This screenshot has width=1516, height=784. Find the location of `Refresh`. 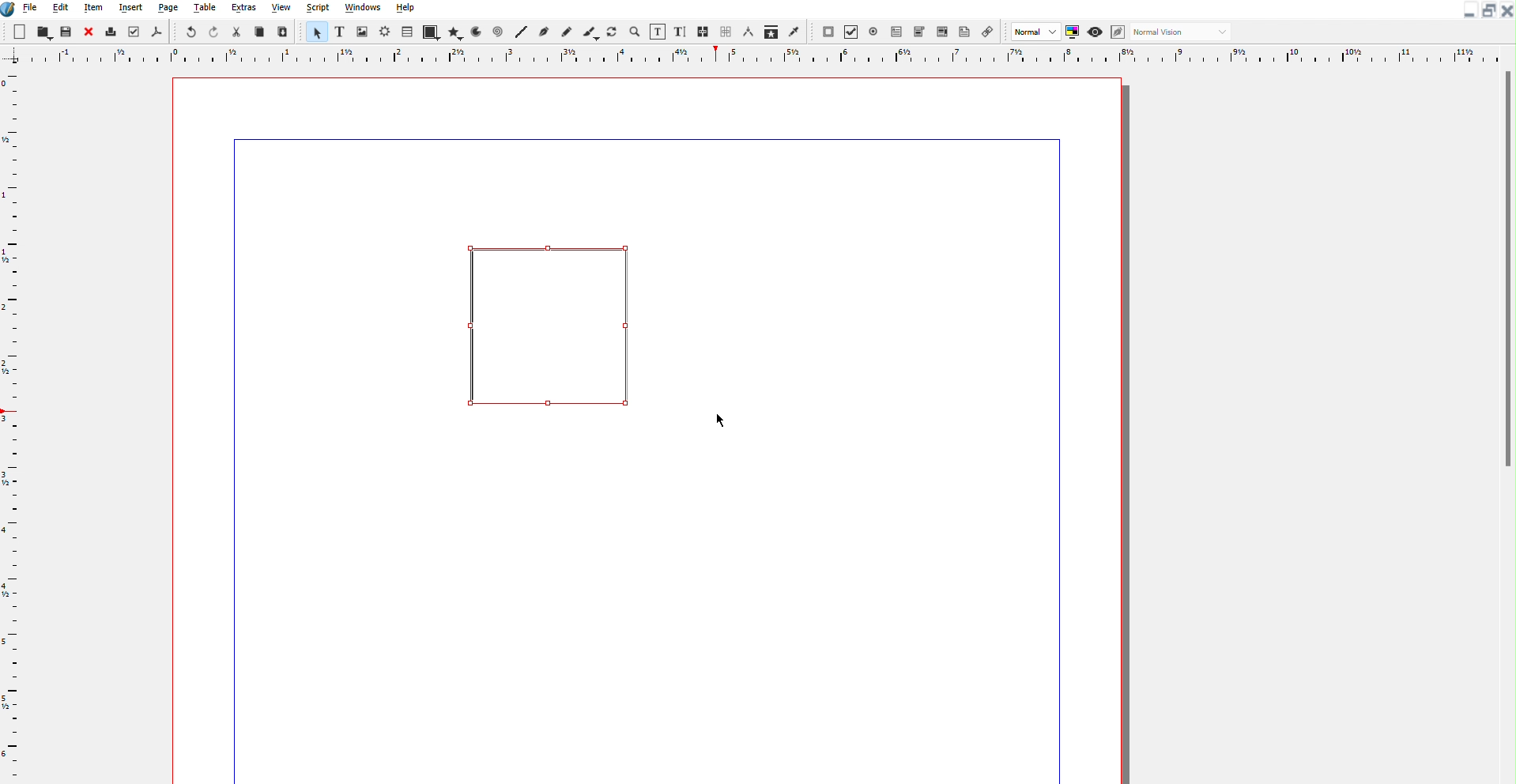

Refresh is located at coordinates (611, 31).